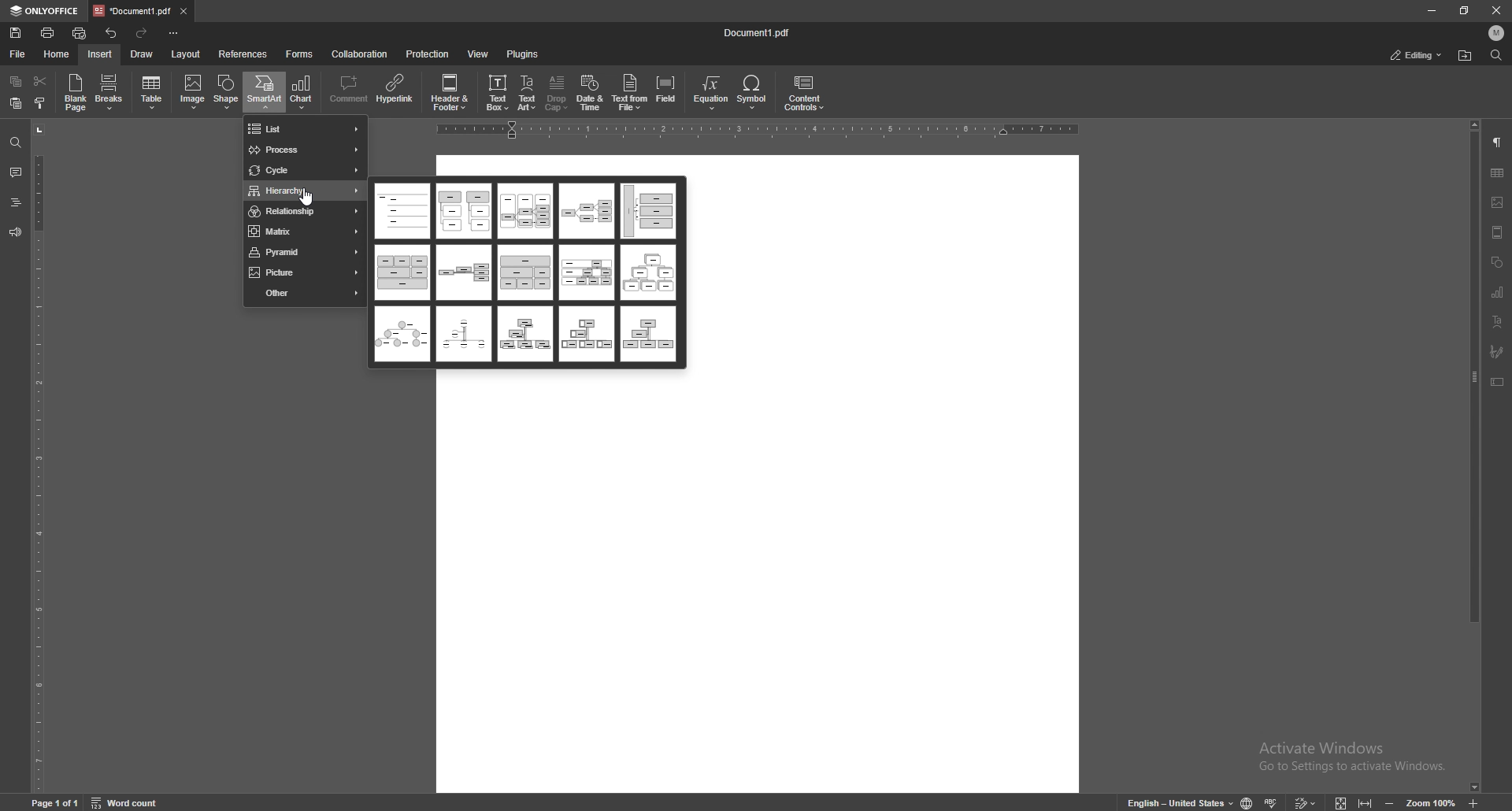 The width and height of the screenshot is (1512, 811). What do you see at coordinates (630, 91) in the screenshot?
I see `text from field` at bounding box center [630, 91].